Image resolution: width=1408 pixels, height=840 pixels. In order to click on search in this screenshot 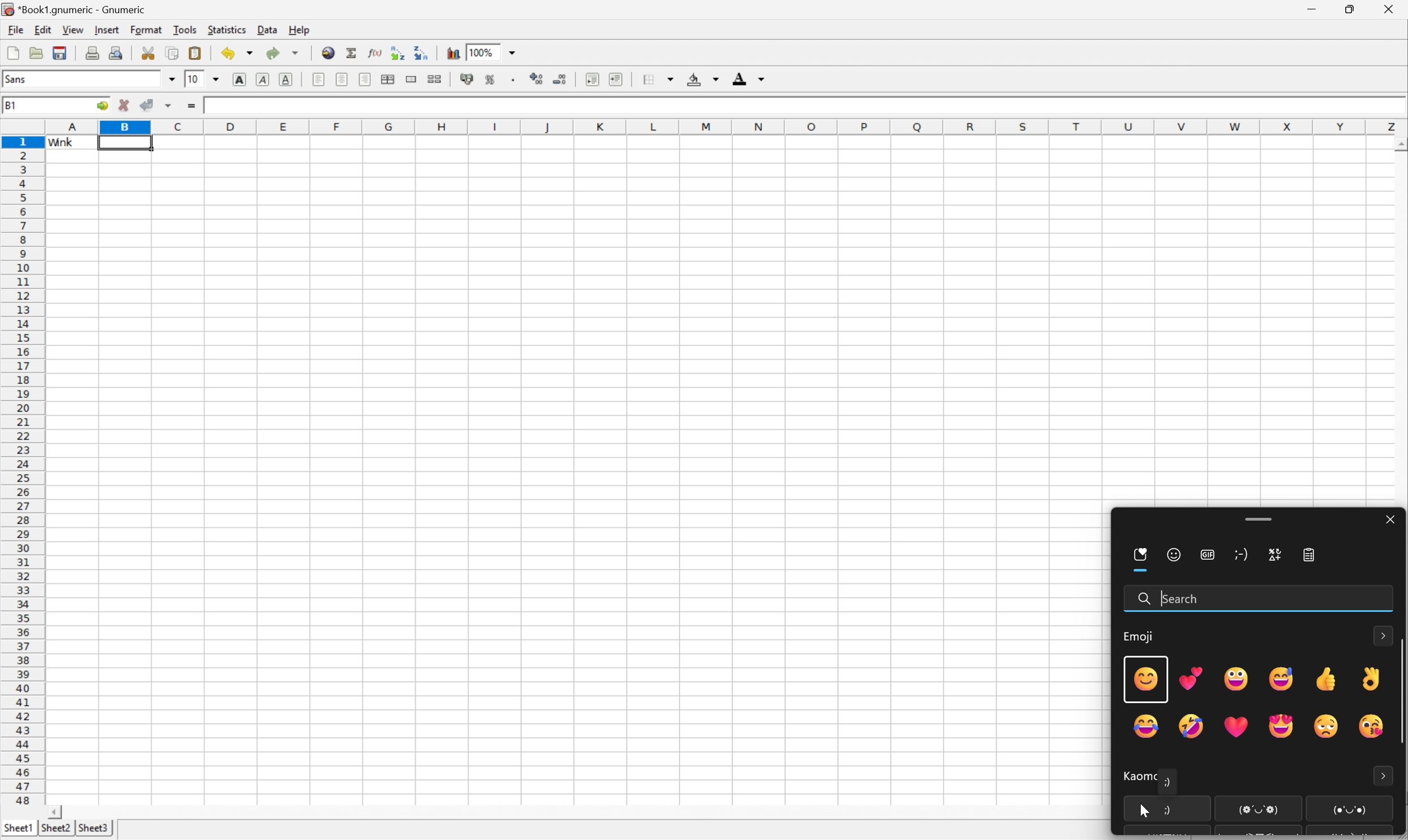, I will do `click(1173, 599)`.